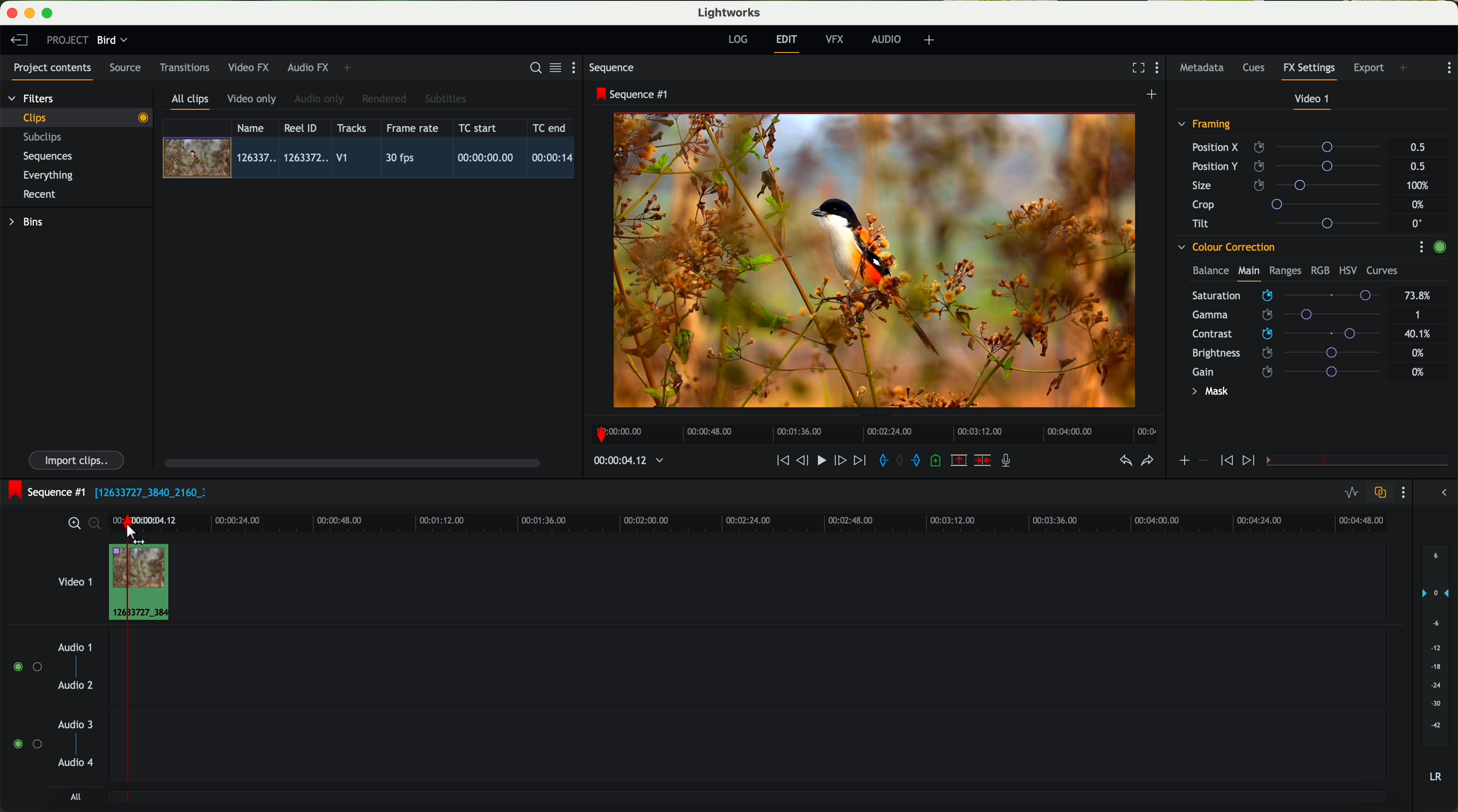 This screenshot has width=1458, height=812. Describe the element at coordinates (191, 102) in the screenshot. I see `all clips` at that location.